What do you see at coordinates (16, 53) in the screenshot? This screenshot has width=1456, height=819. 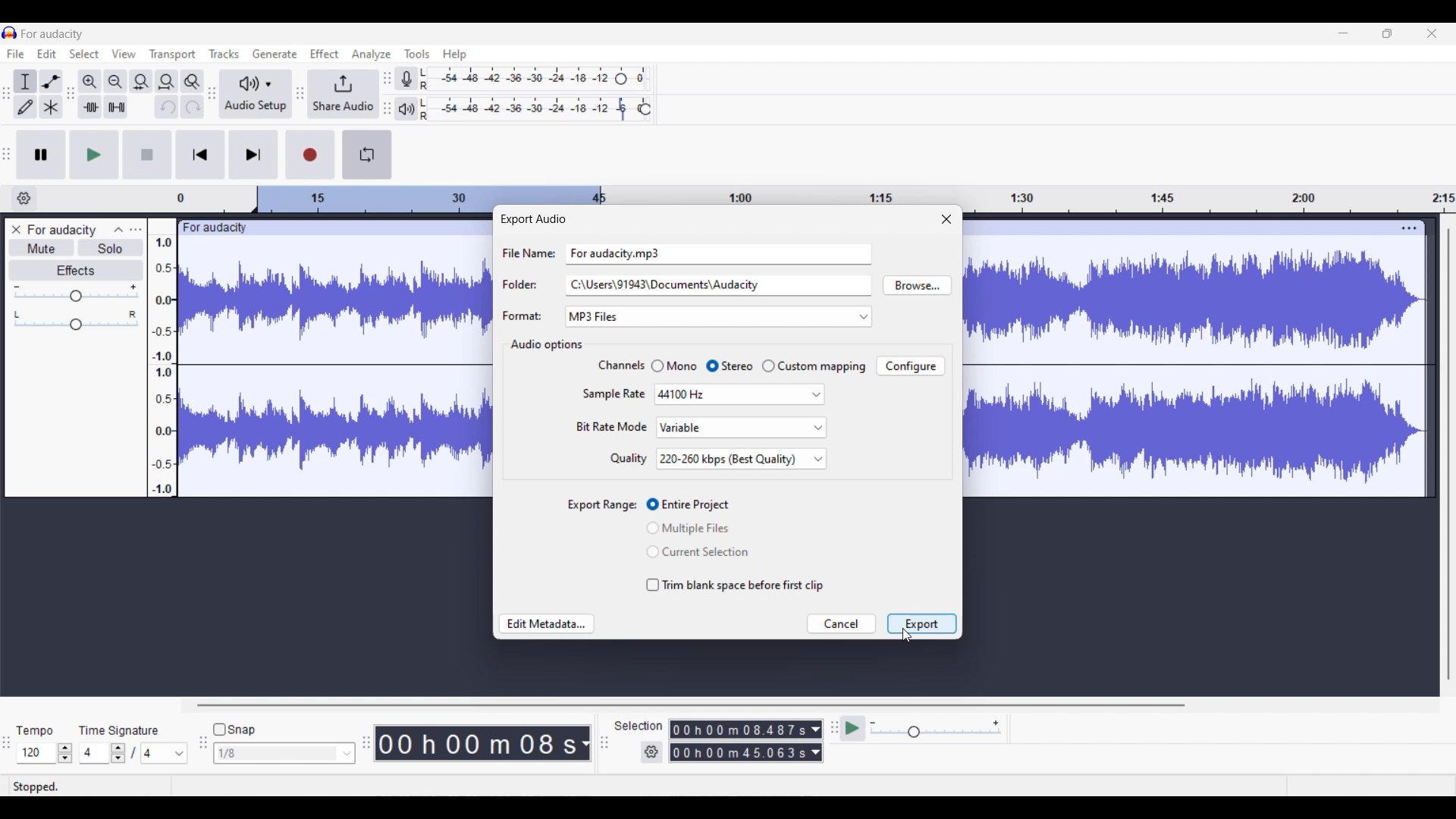 I see `File menu` at bounding box center [16, 53].